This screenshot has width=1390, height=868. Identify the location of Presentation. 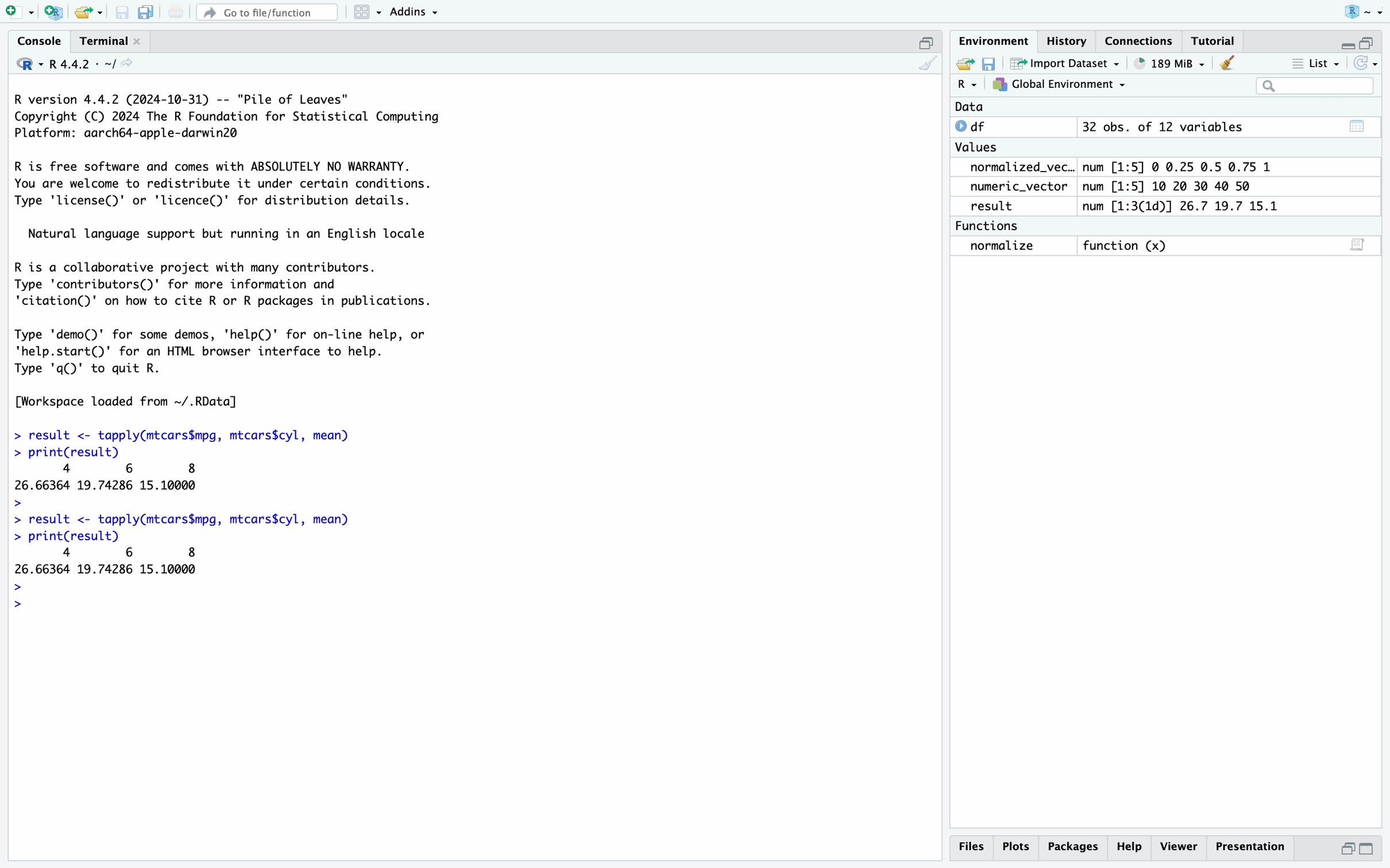
(1250, 847).